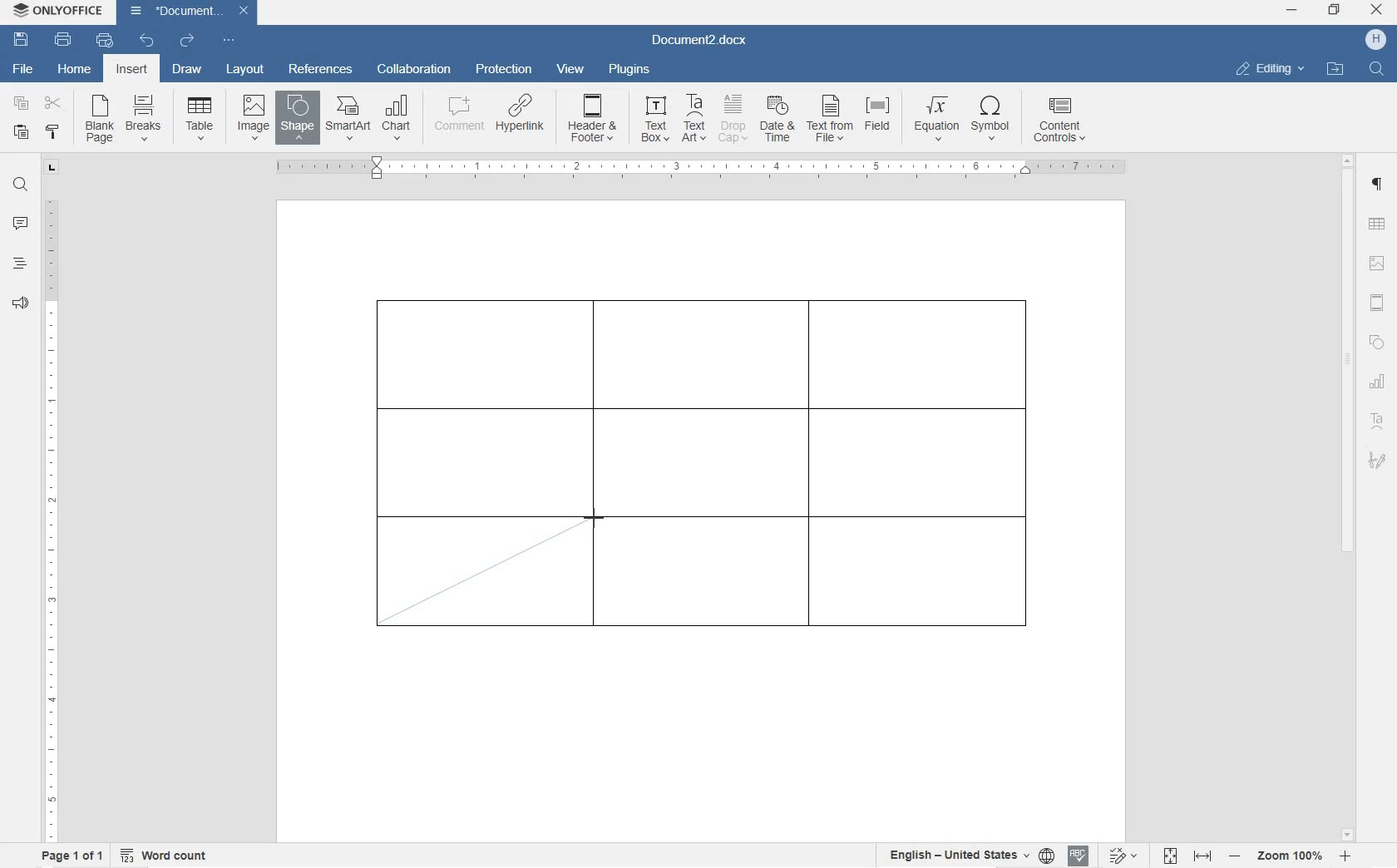 Image resolution: width=1397 pixels, height=868 pixels. I want to click on select text or document language, so click(969, 857).